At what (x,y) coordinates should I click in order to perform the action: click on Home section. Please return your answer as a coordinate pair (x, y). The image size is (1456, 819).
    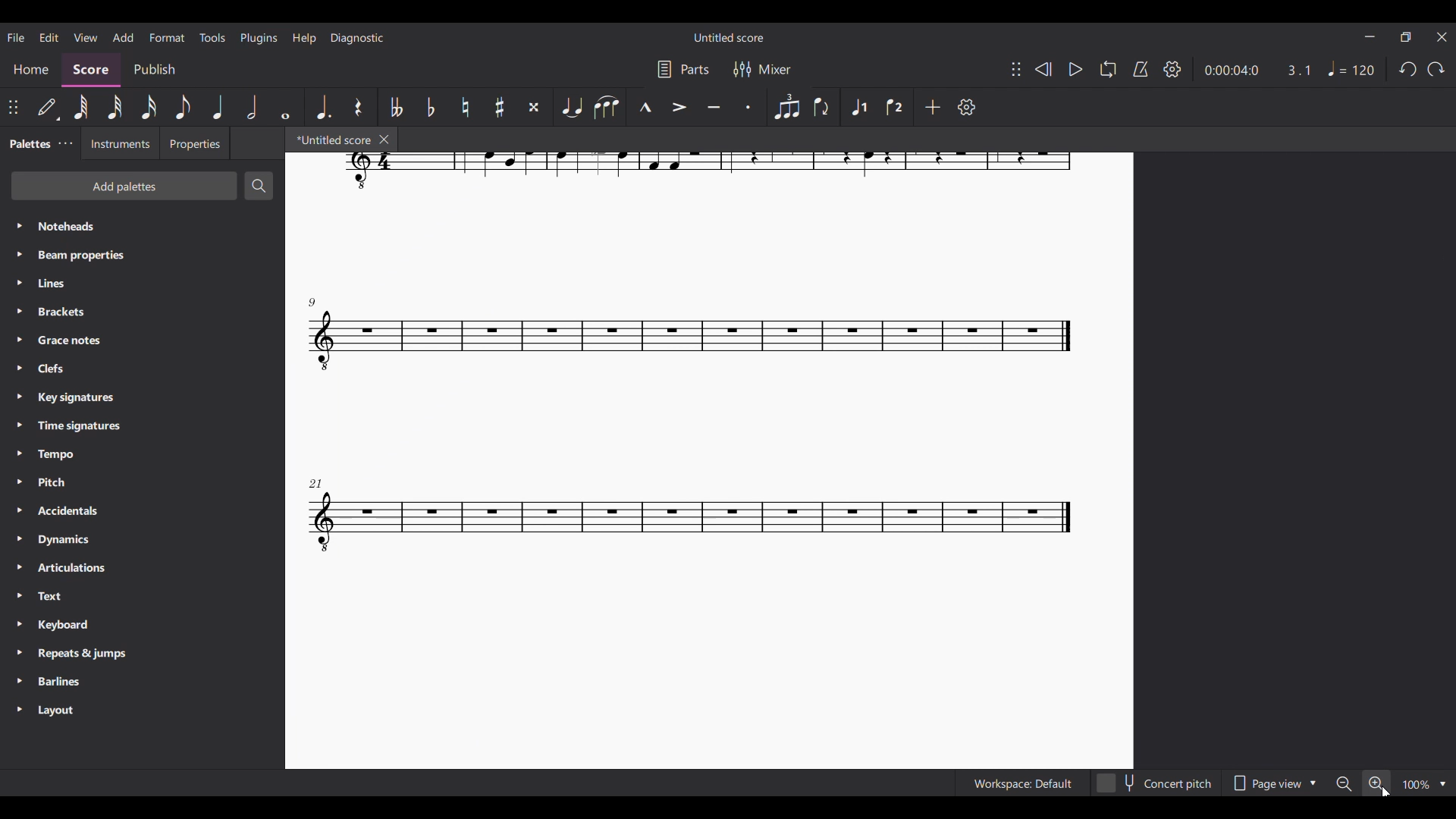
    Looking at the image, I should click on (31, 70).